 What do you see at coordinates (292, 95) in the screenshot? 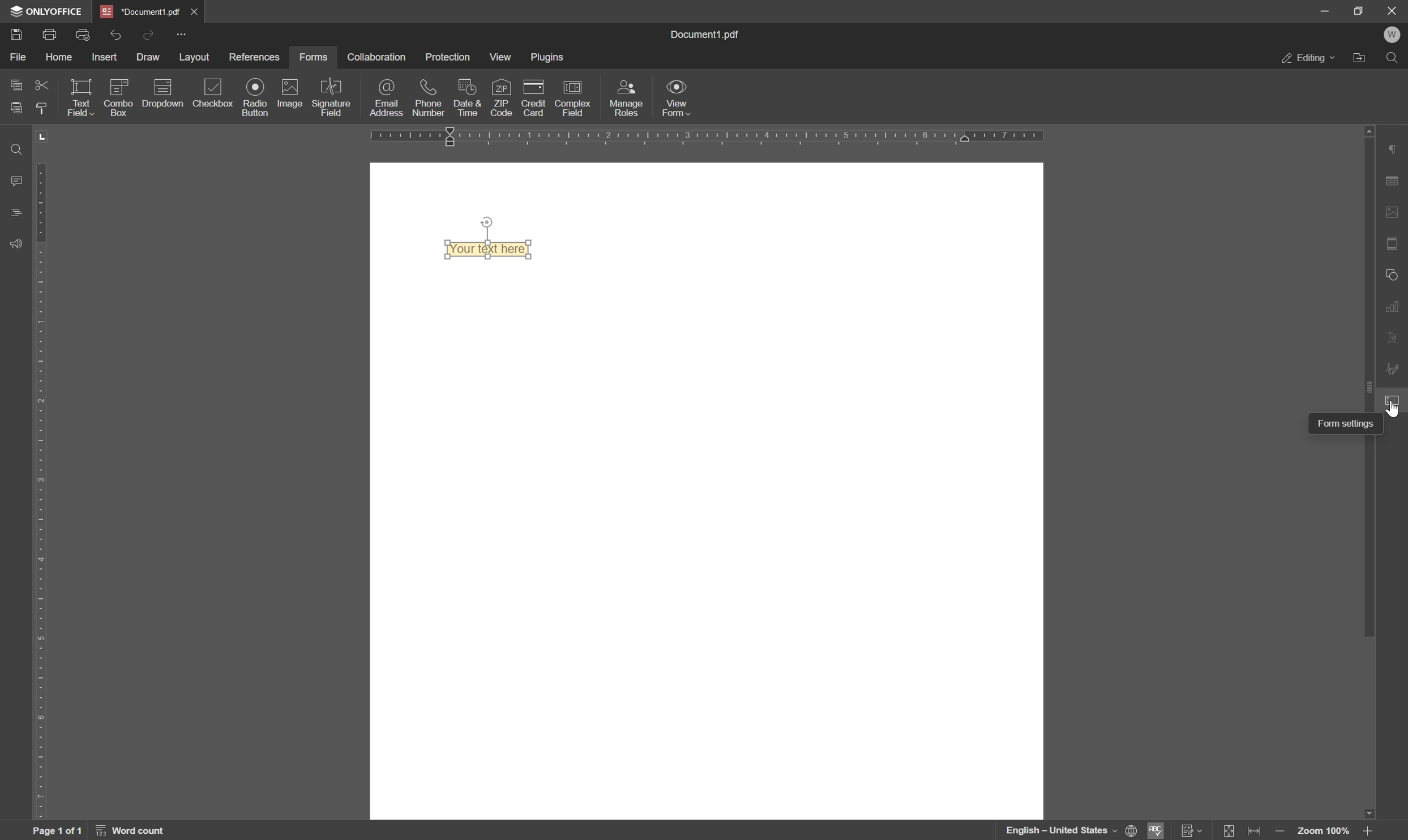
I see `image` at bounding box center [292, 95].